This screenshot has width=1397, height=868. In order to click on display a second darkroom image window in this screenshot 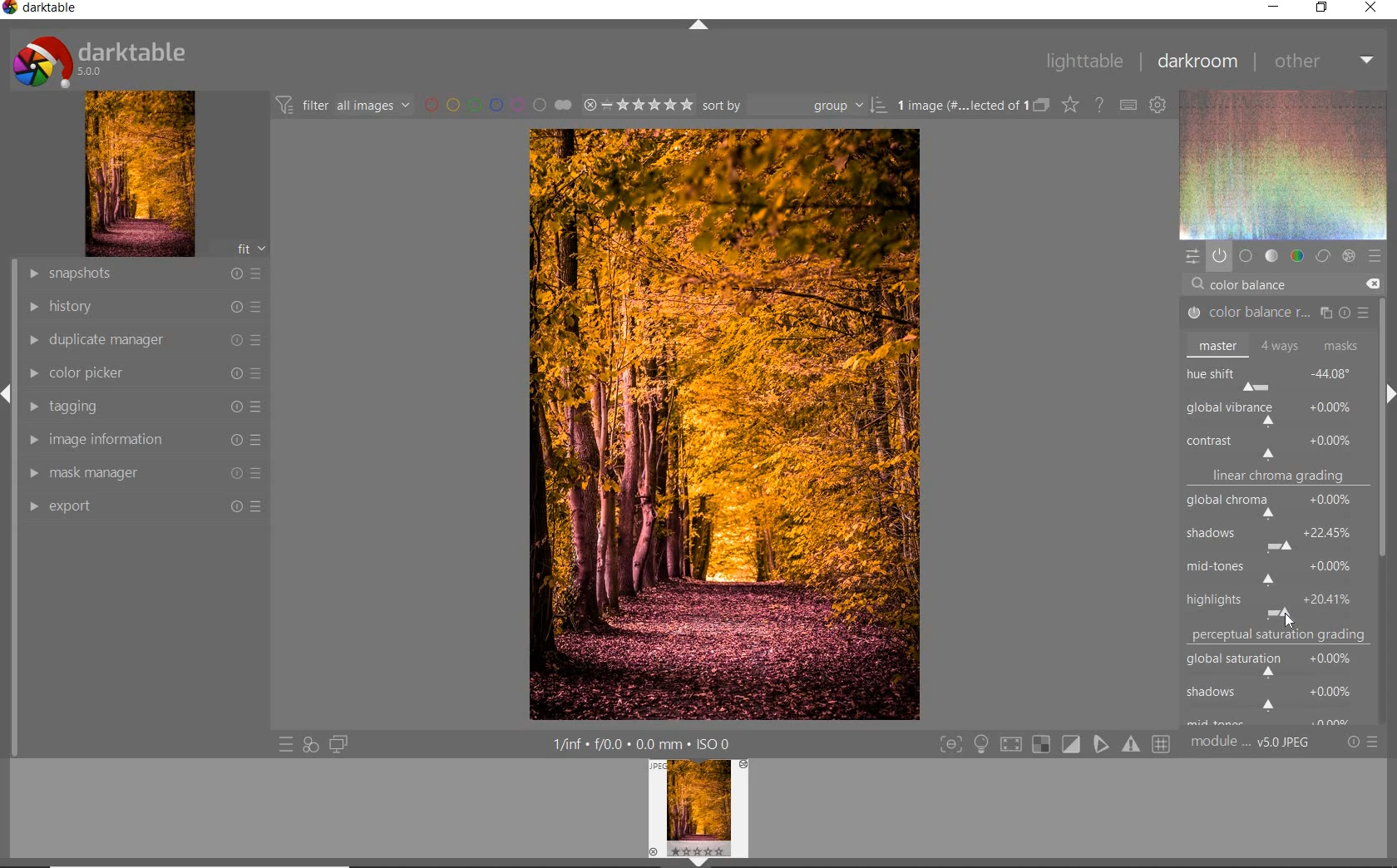, I will do `click(335, 744)`.